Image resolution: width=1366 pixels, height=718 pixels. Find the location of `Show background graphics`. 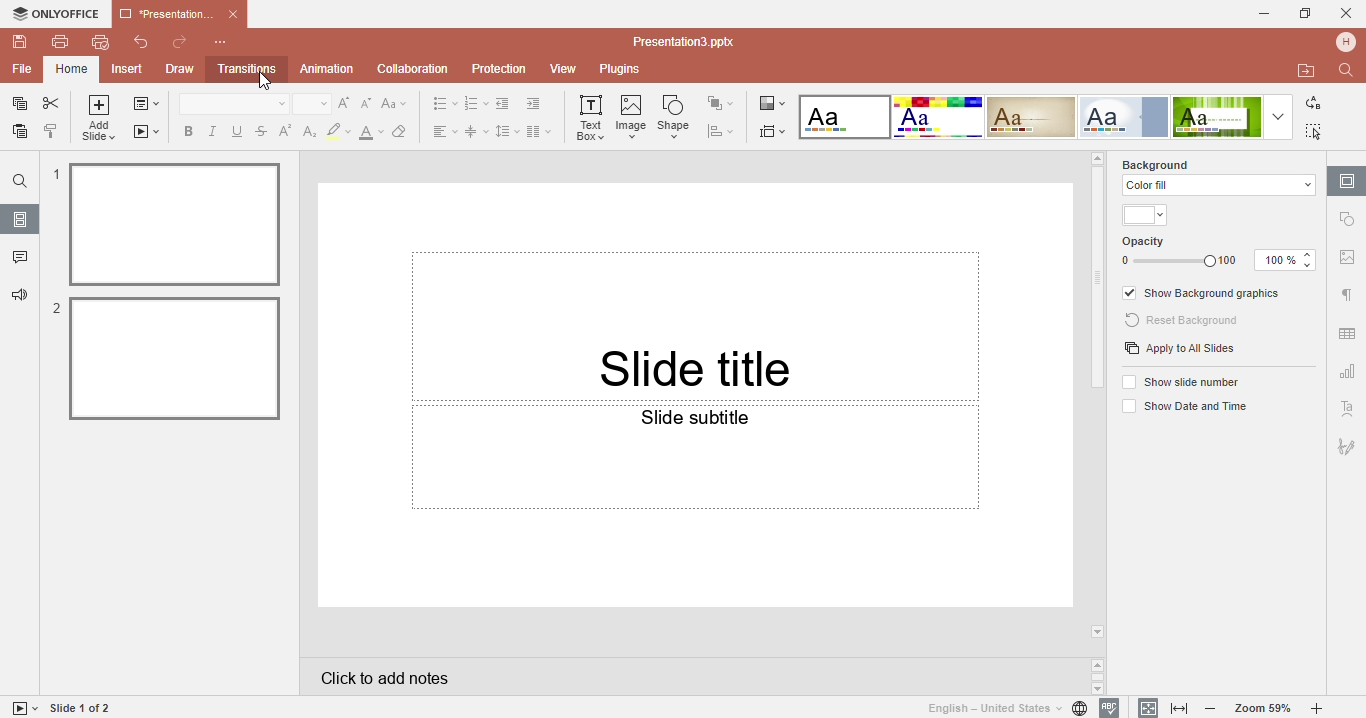

Show background graphics is located at coordinates (1204, 294).